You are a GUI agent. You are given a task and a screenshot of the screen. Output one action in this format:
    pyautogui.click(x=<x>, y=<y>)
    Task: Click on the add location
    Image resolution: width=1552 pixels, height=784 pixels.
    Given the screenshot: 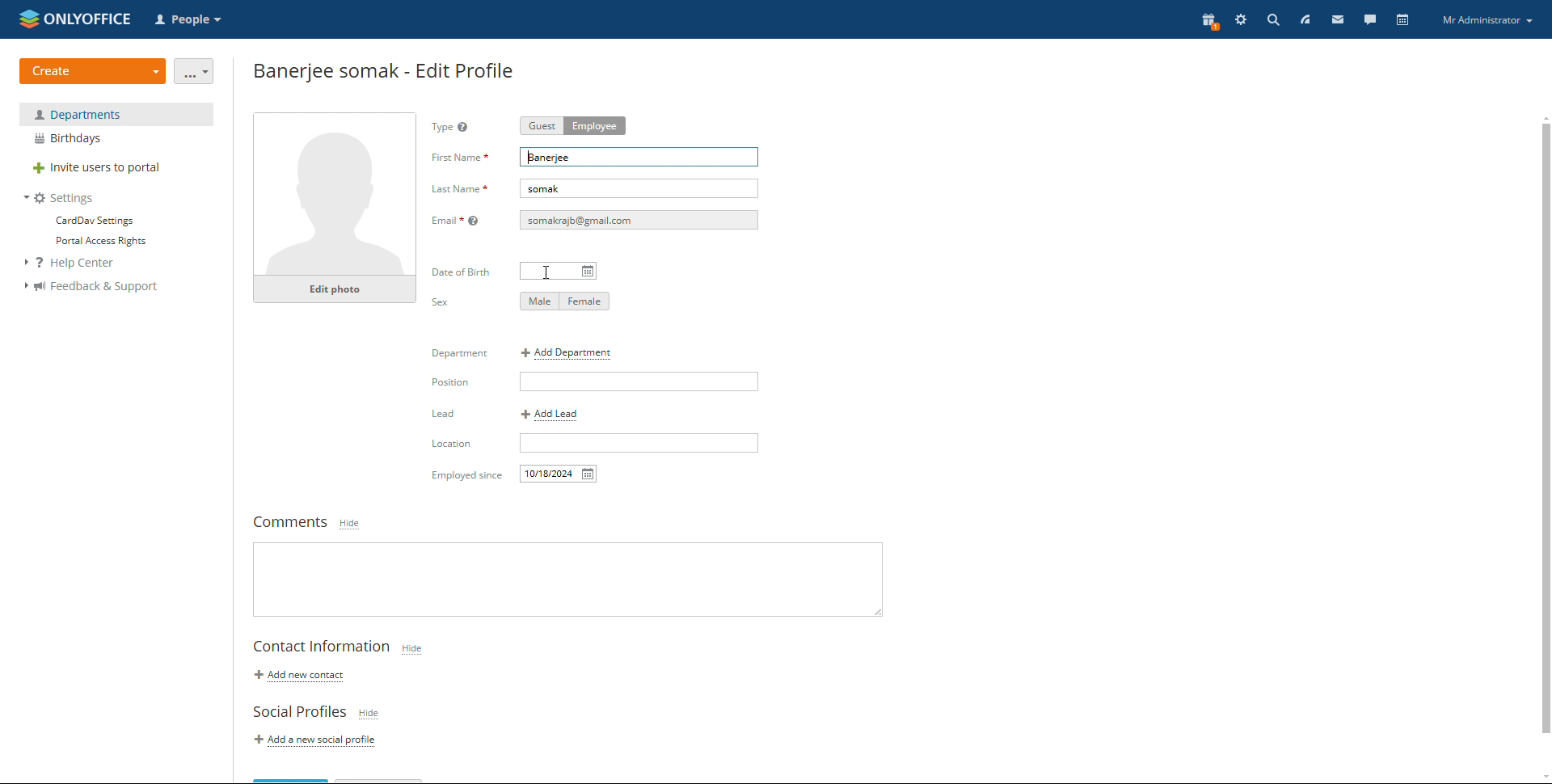 What is the action you would take?
    pyautogui.click(x=639, y=442)
    